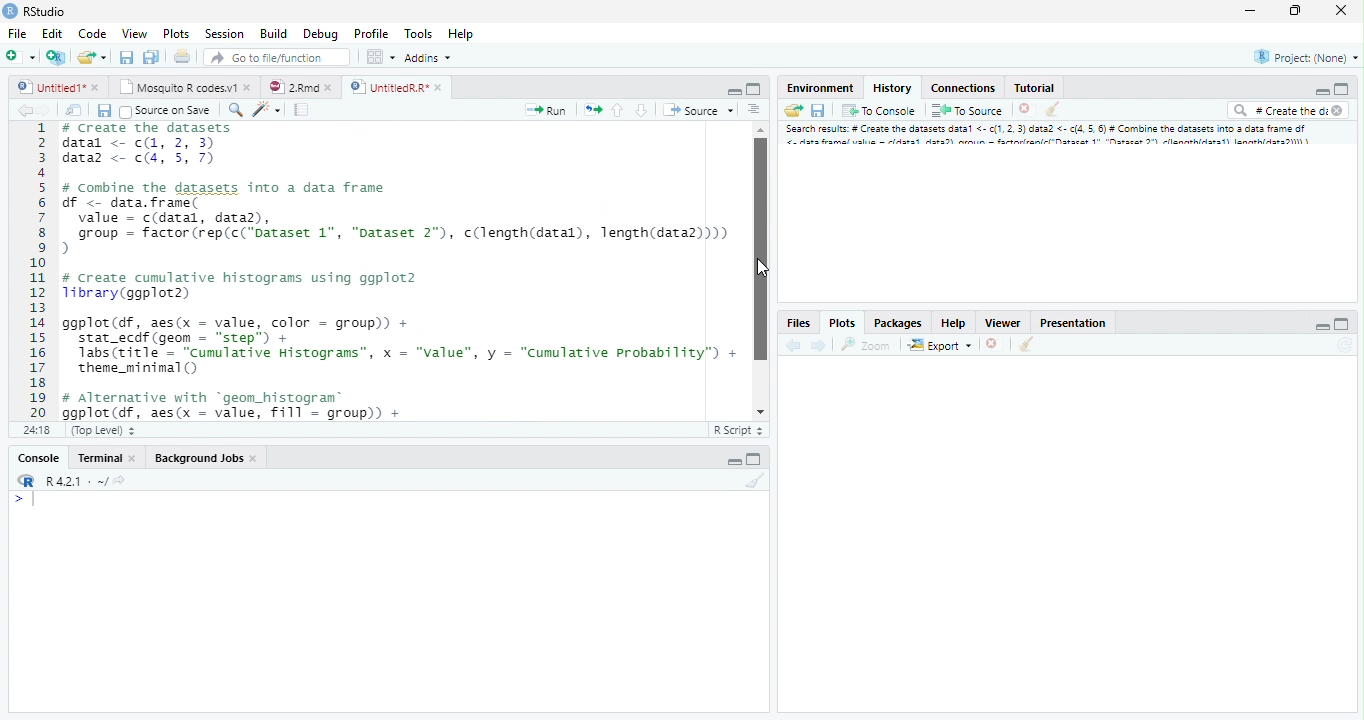 This screenshot has height=720, width=1364. I want to click on Connections, so click(964, 88).